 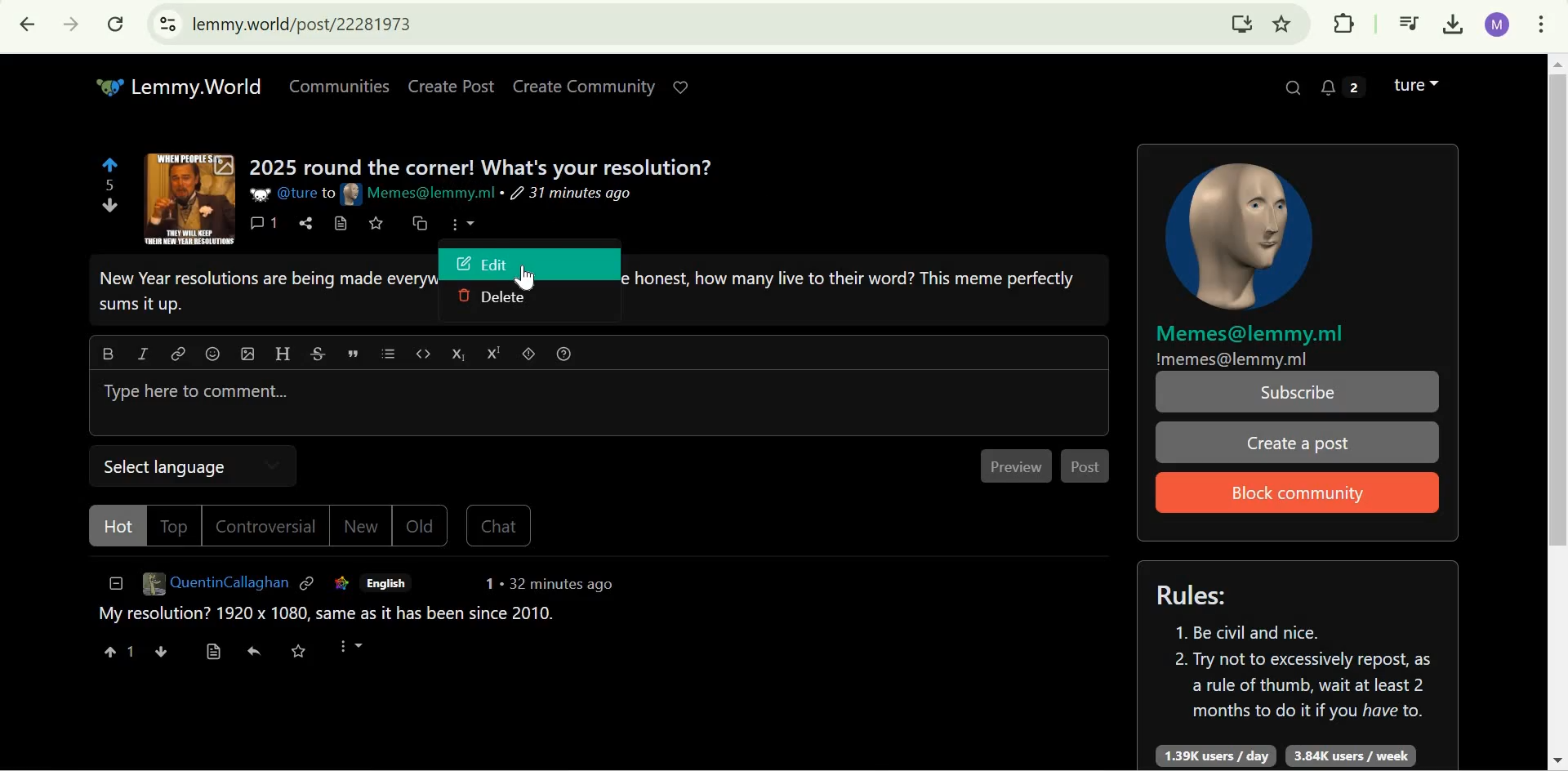 I want to click on upvote, so click(x=110, y=163).